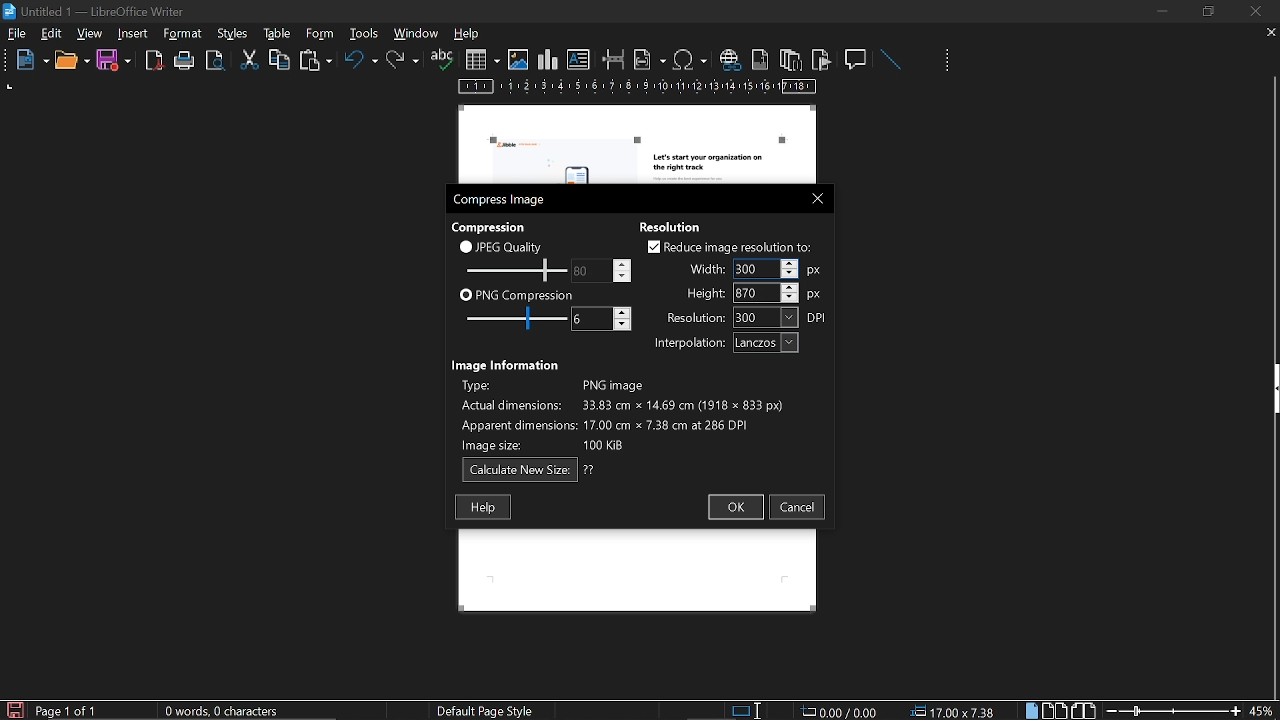  What do you see at coordinates (890, 60) in the screenshot?
I see `line` at bounding box center [890, 60].